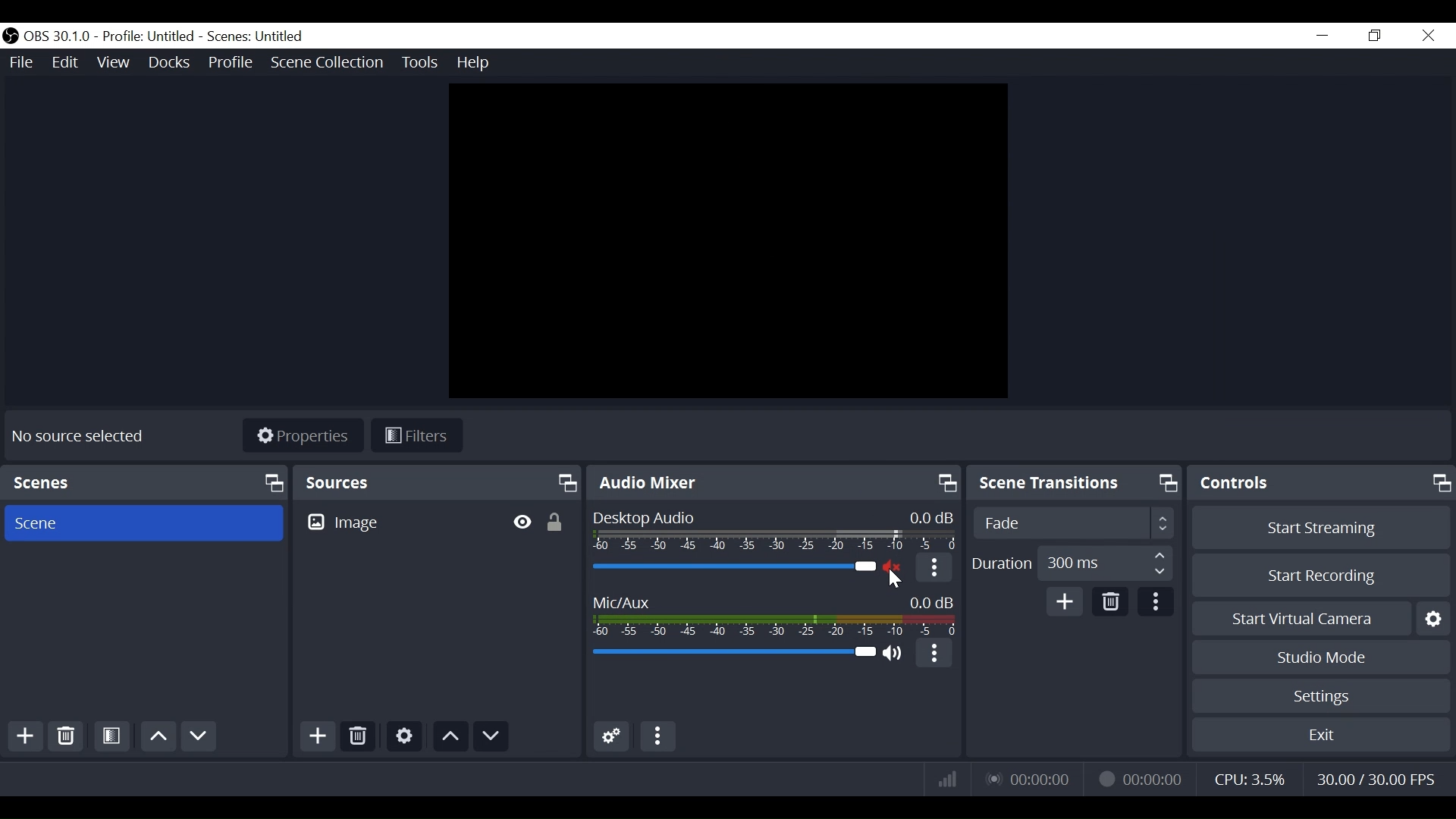 This screenshot has height=819, width=1456. I want to click on Controls, so click(1323, 485).